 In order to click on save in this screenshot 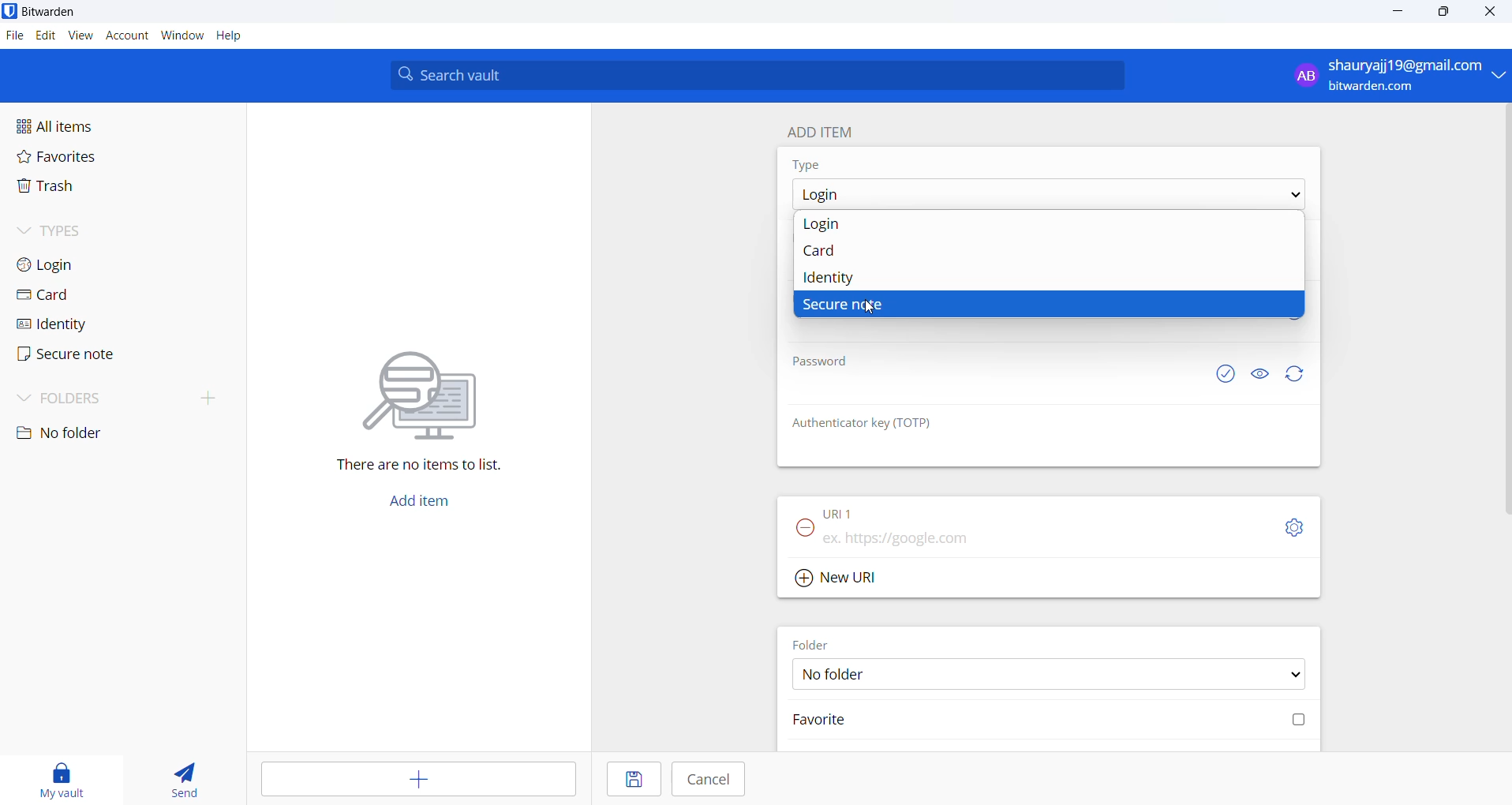, I will do `click(627, 779)`.